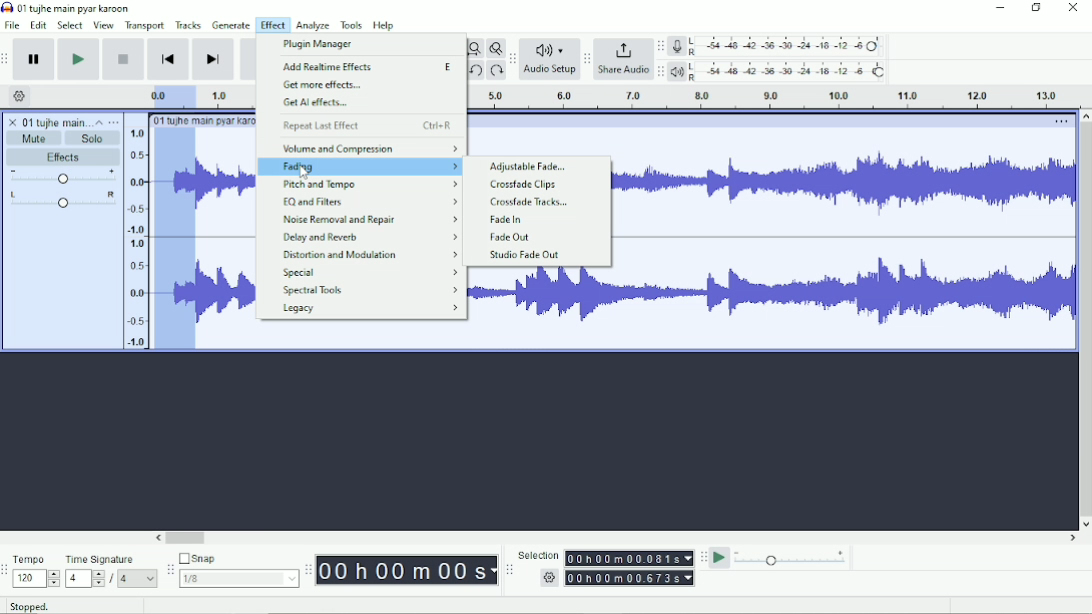 This screenshot has height=614, width=1092. Describe the element at coordinates (63, 178) in the screenshot. I see `Volume` at that location.